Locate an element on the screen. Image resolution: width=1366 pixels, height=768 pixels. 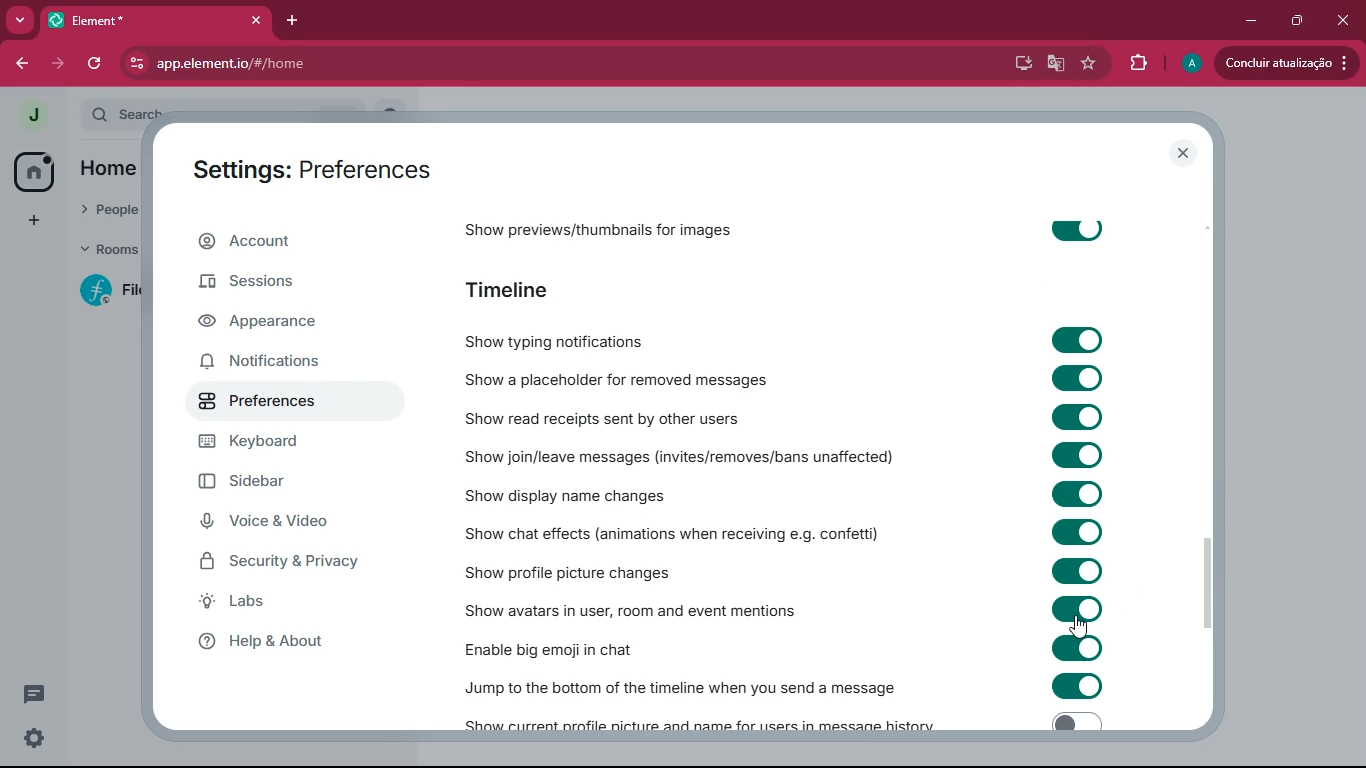
favourite is located at coordinates (1092, 65).